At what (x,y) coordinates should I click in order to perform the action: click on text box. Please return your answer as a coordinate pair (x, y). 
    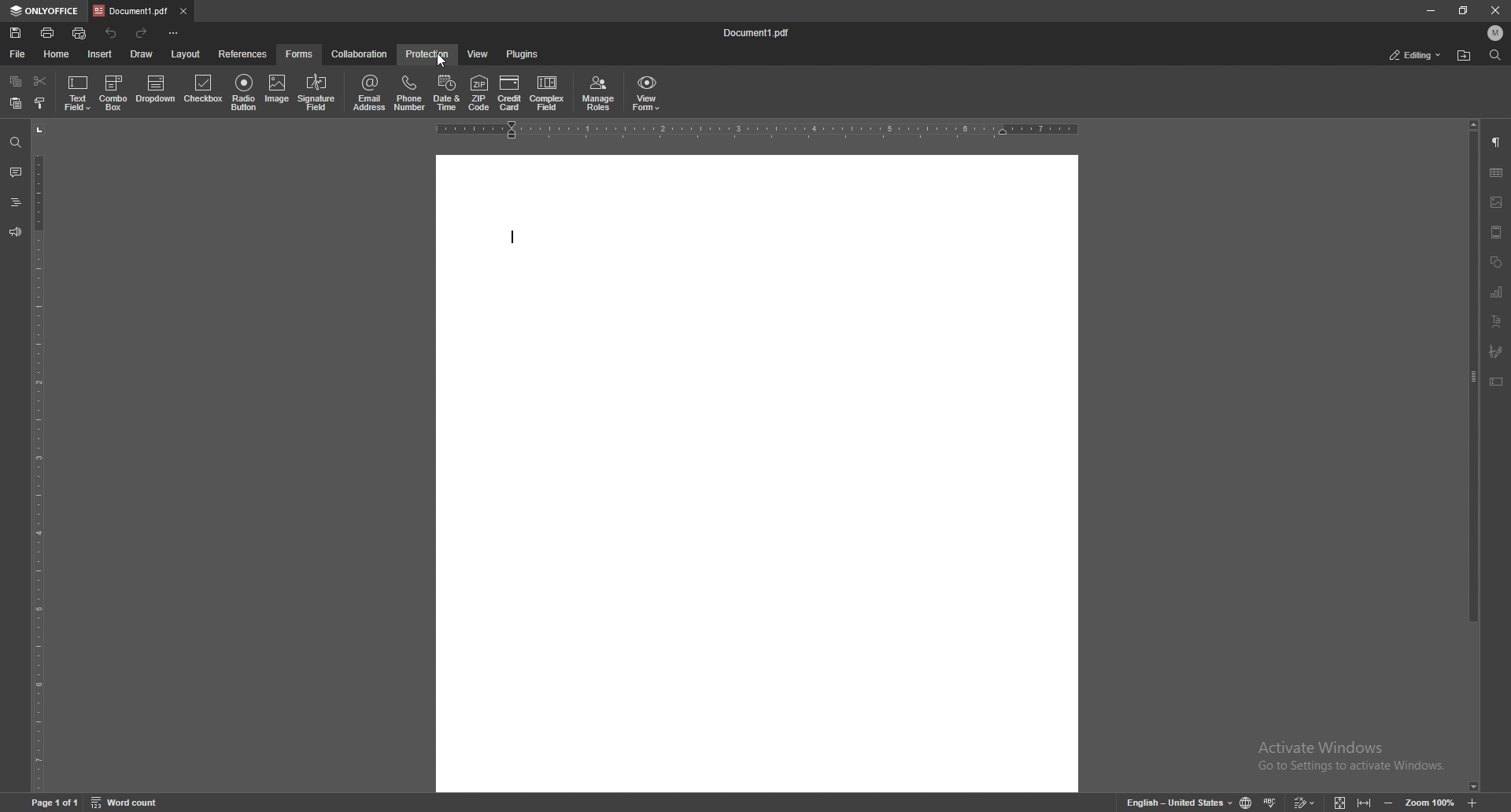
    Looking at the image, I should click on (1497, 382).